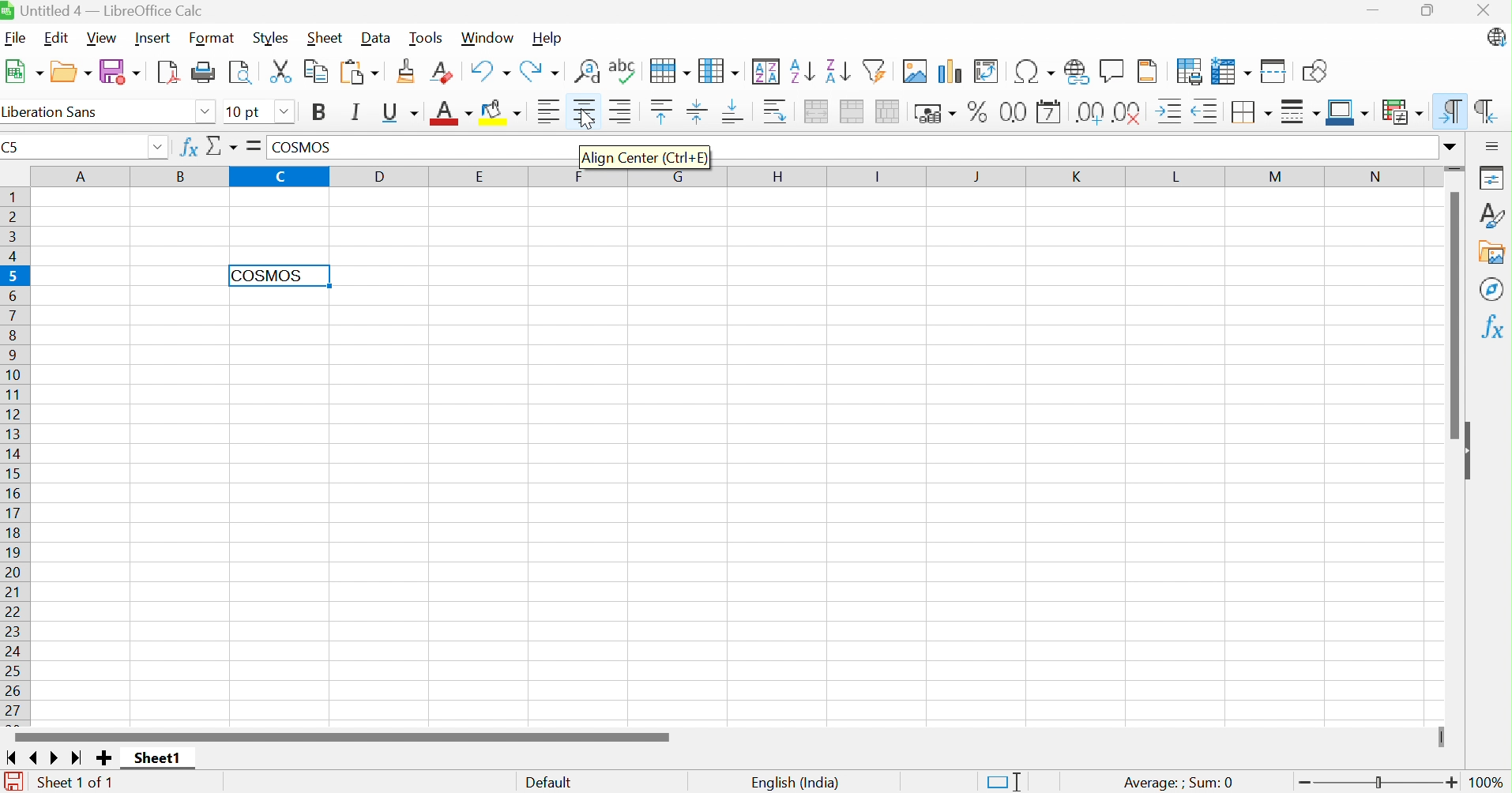 Image resolution: width=1512 pixels, height=793 pixels. What do you see at coordinates (13, 782) in the screenshot?
I see `The document has been modified. Click to save the document.` at bounding box center [13, 782].